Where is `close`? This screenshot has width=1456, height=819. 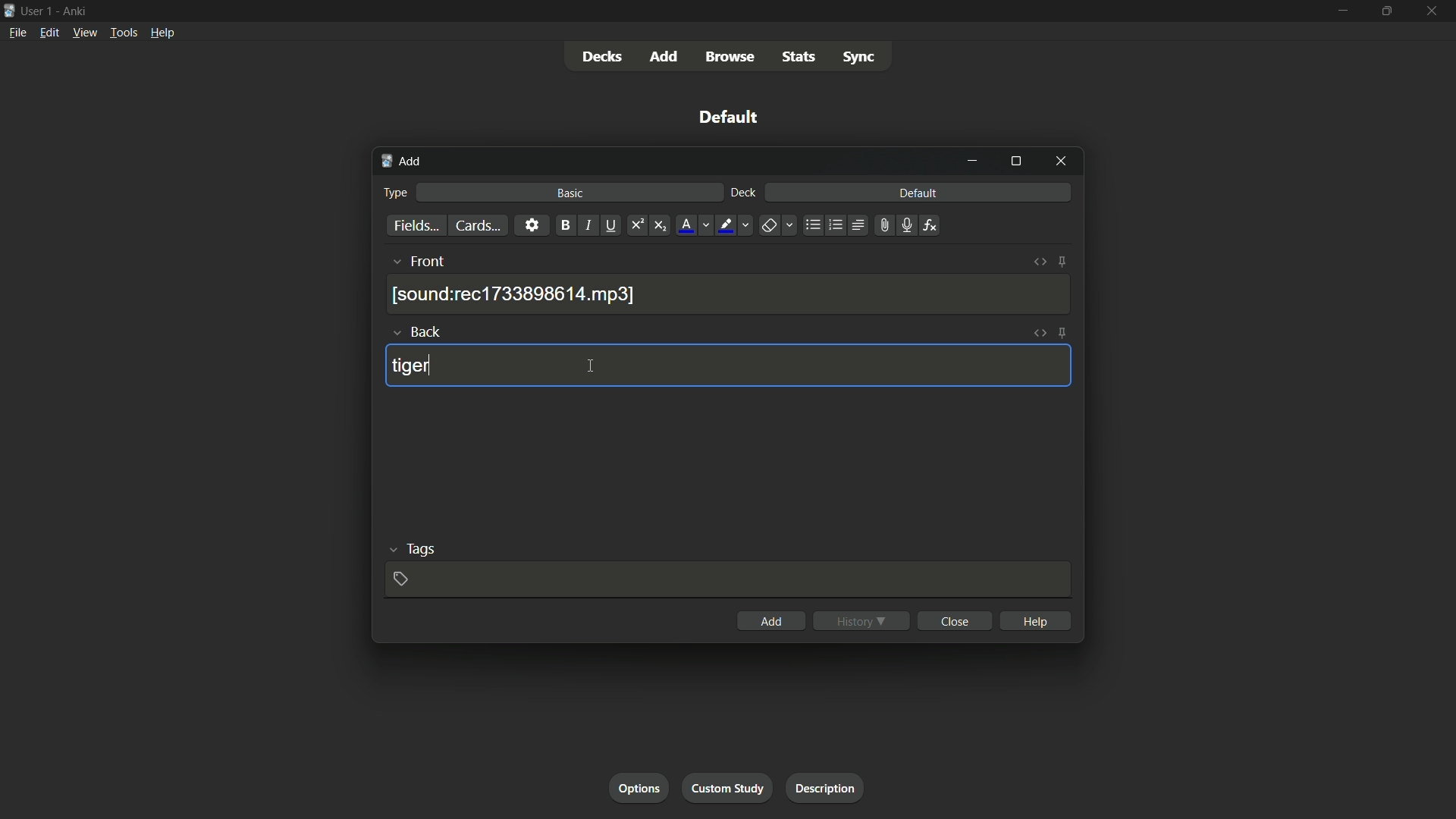 close is located at coordinates (954, 621).